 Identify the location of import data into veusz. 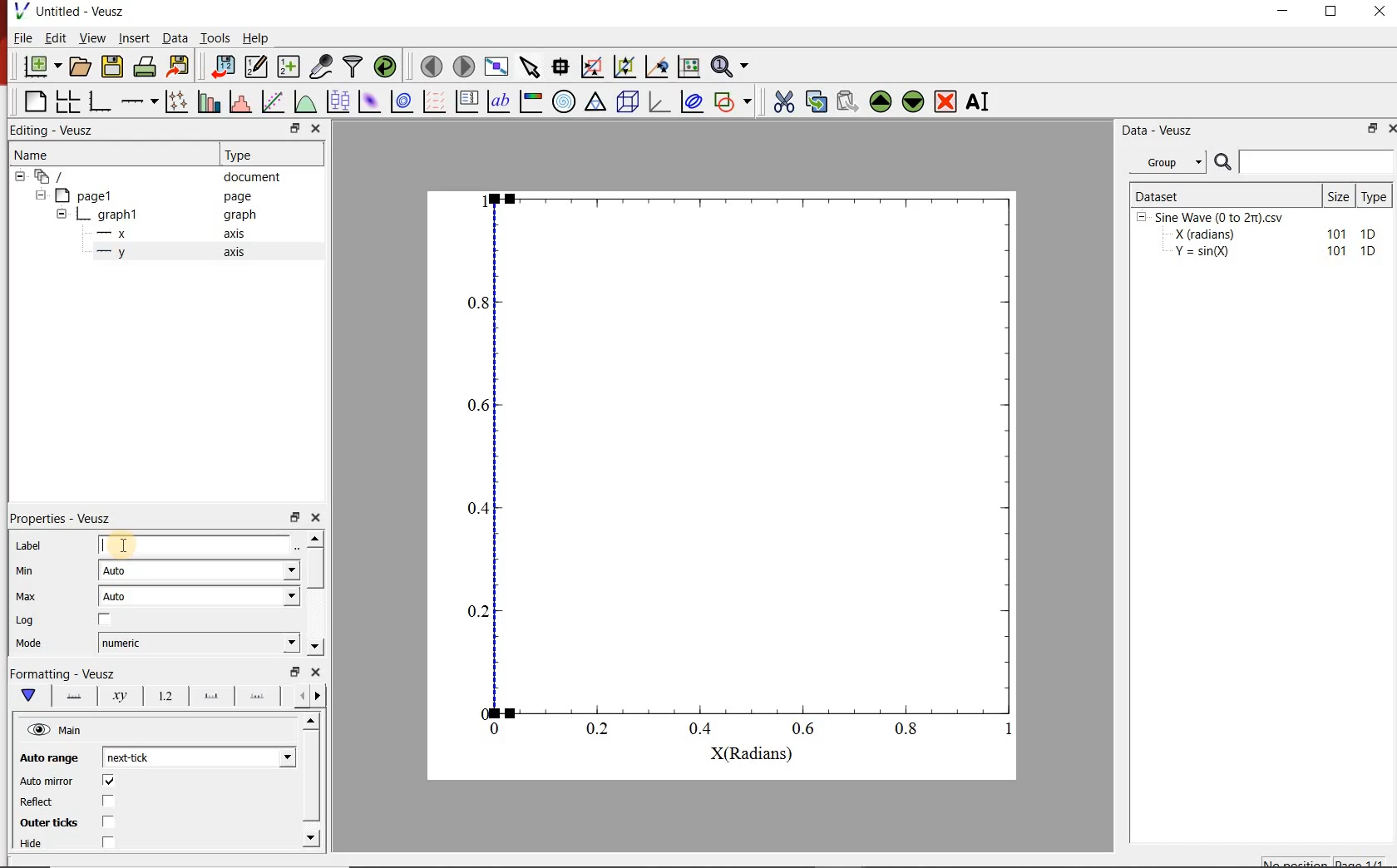
(221, 66).